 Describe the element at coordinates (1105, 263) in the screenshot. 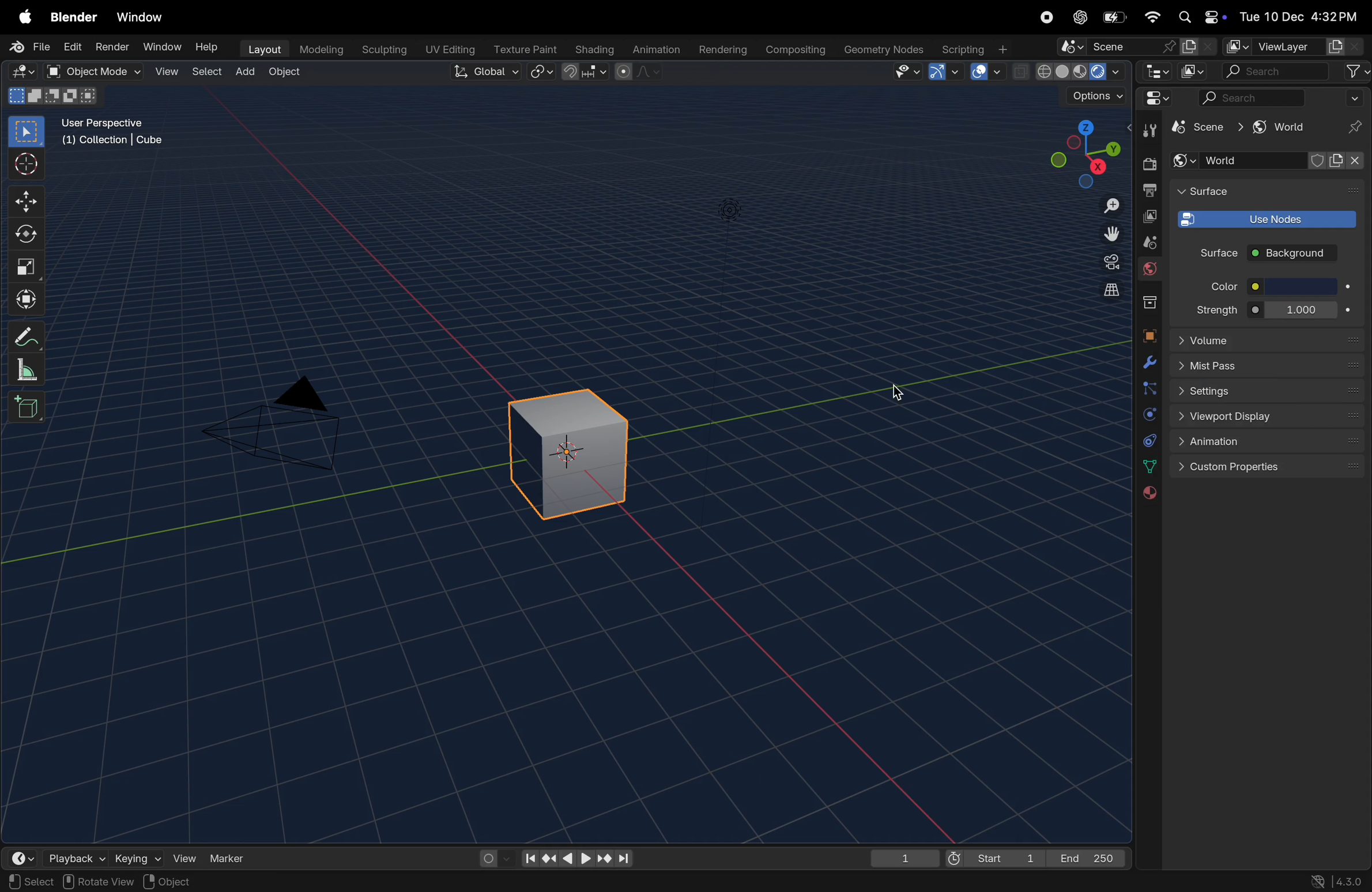

I see `camera` at that location.